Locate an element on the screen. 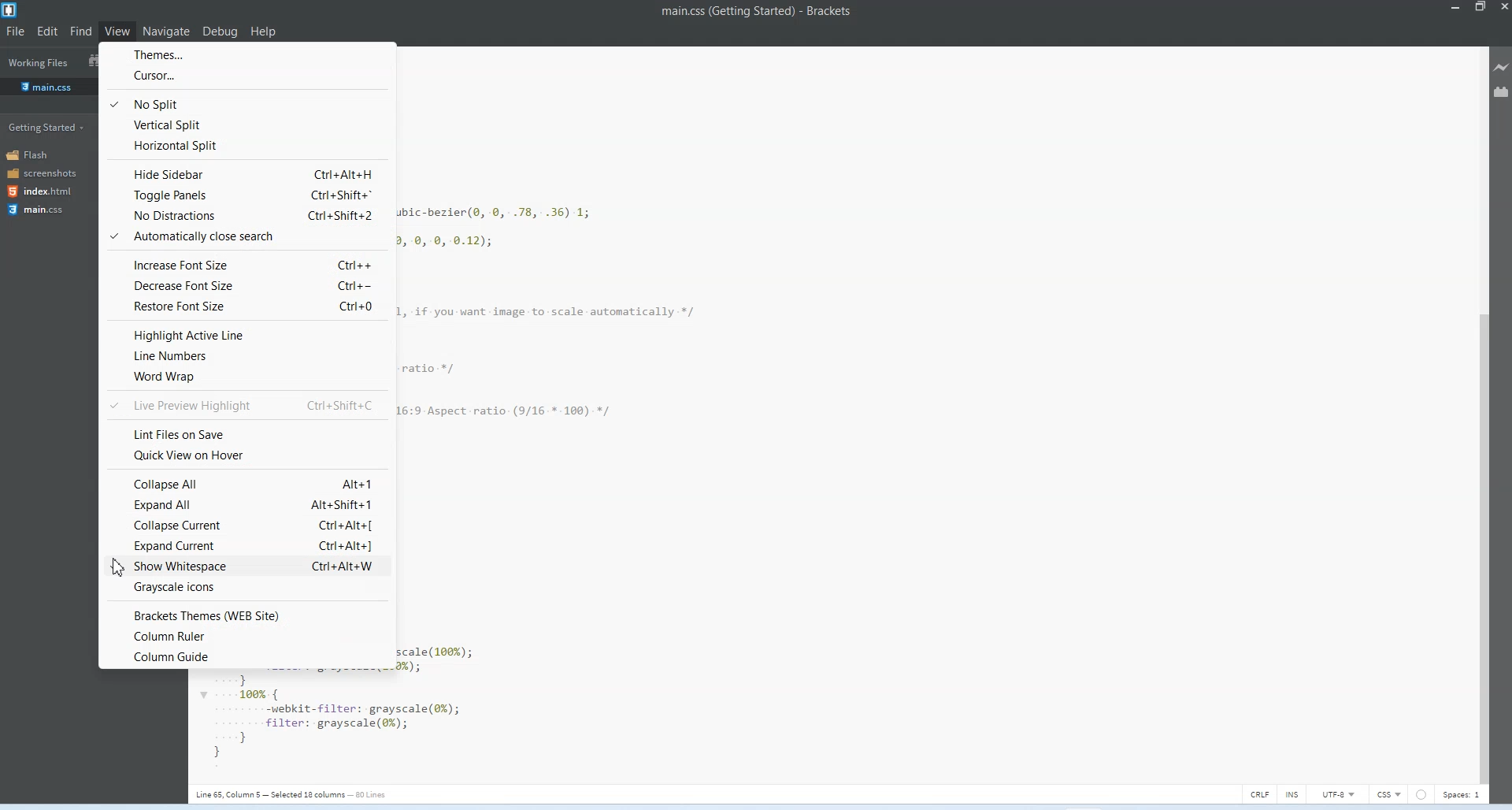 This screenshot has width=1512, height=810. Spaces 1 is located at coordinates (1465, 793).